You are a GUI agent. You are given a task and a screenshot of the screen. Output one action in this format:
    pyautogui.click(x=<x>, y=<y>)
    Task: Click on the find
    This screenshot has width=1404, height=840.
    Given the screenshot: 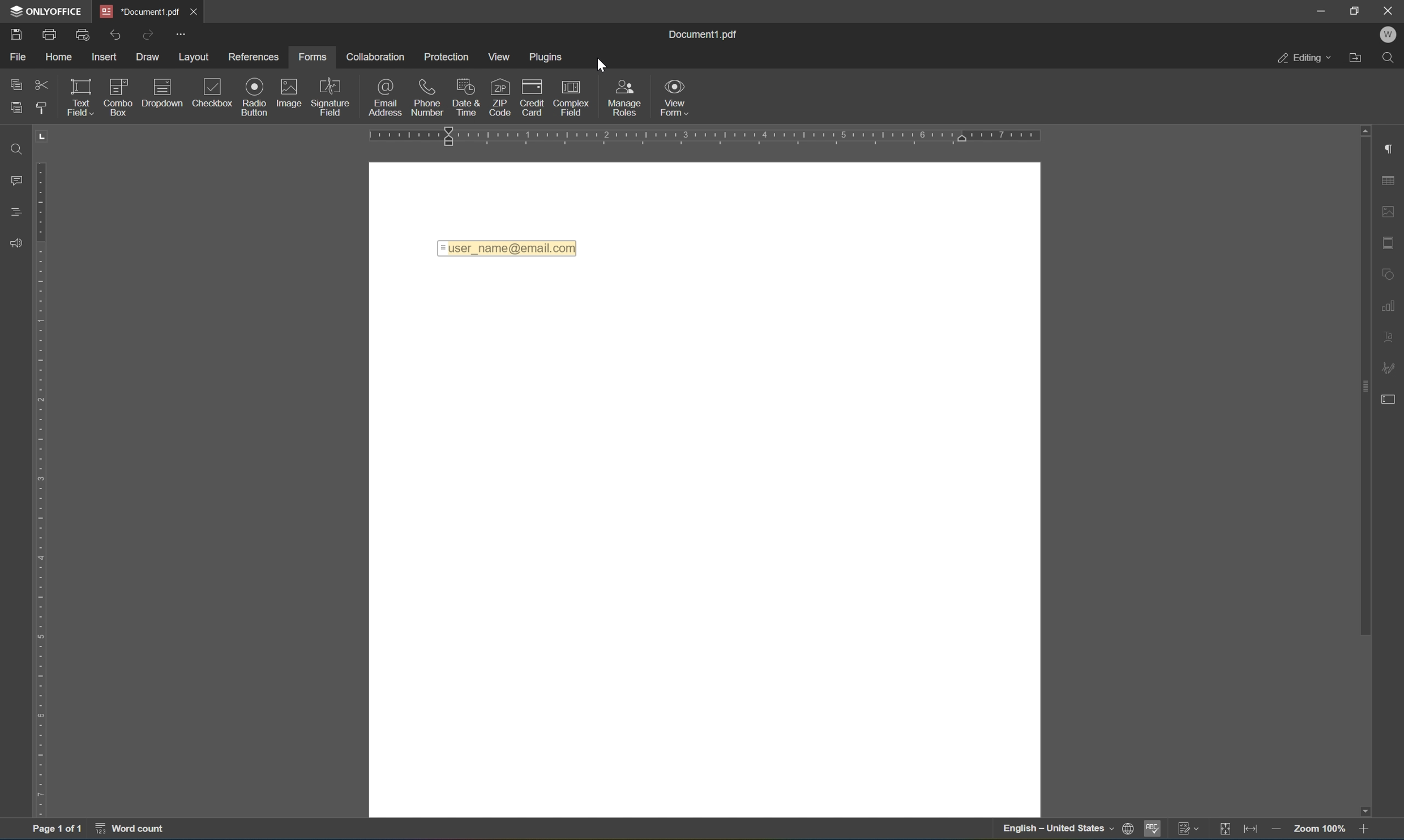 What is the action you would take?
    pyautogui.click(x=1392, y=58)
    